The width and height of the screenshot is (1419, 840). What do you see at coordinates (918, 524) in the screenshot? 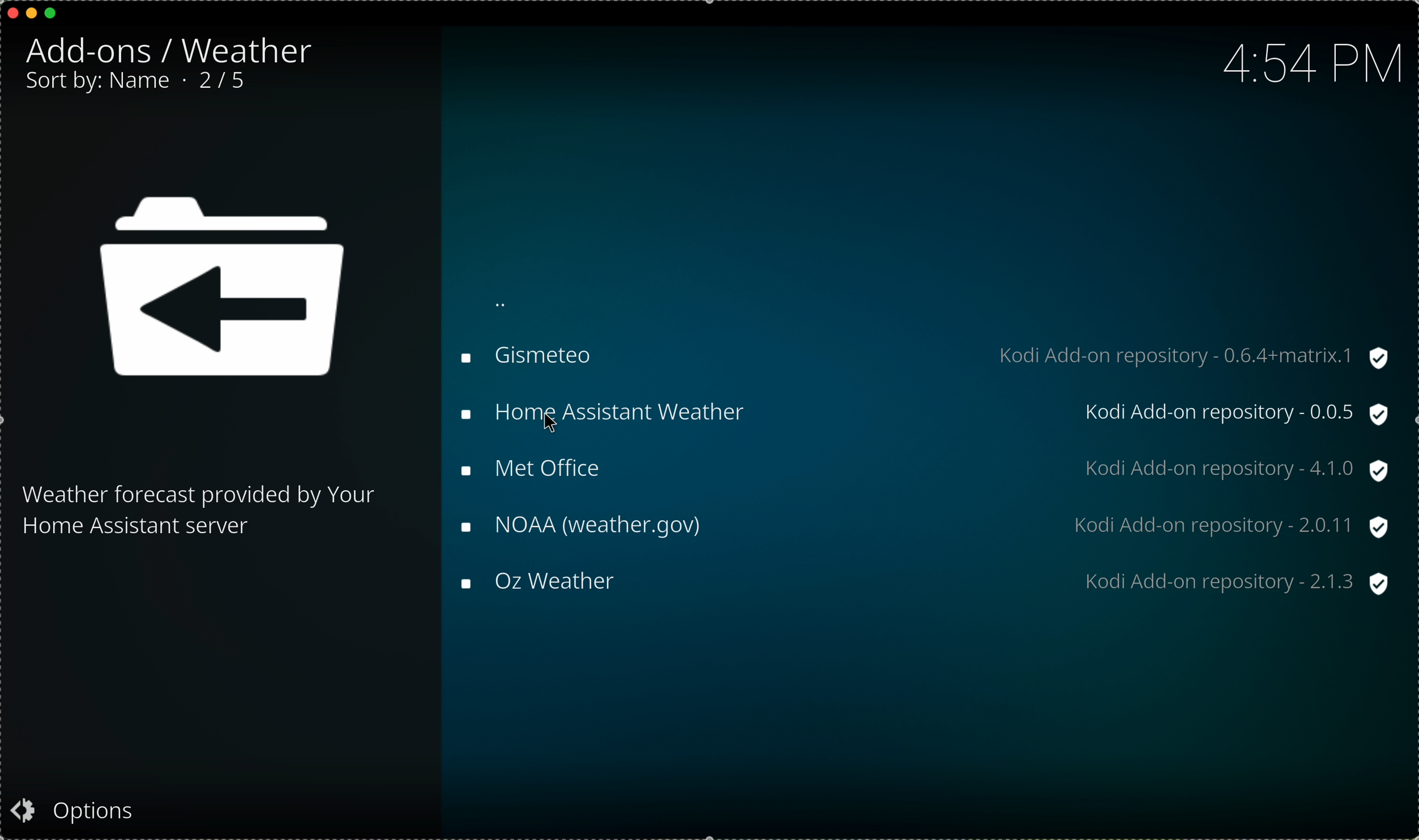
I see `NOAA` at bounding box center [918, 524].